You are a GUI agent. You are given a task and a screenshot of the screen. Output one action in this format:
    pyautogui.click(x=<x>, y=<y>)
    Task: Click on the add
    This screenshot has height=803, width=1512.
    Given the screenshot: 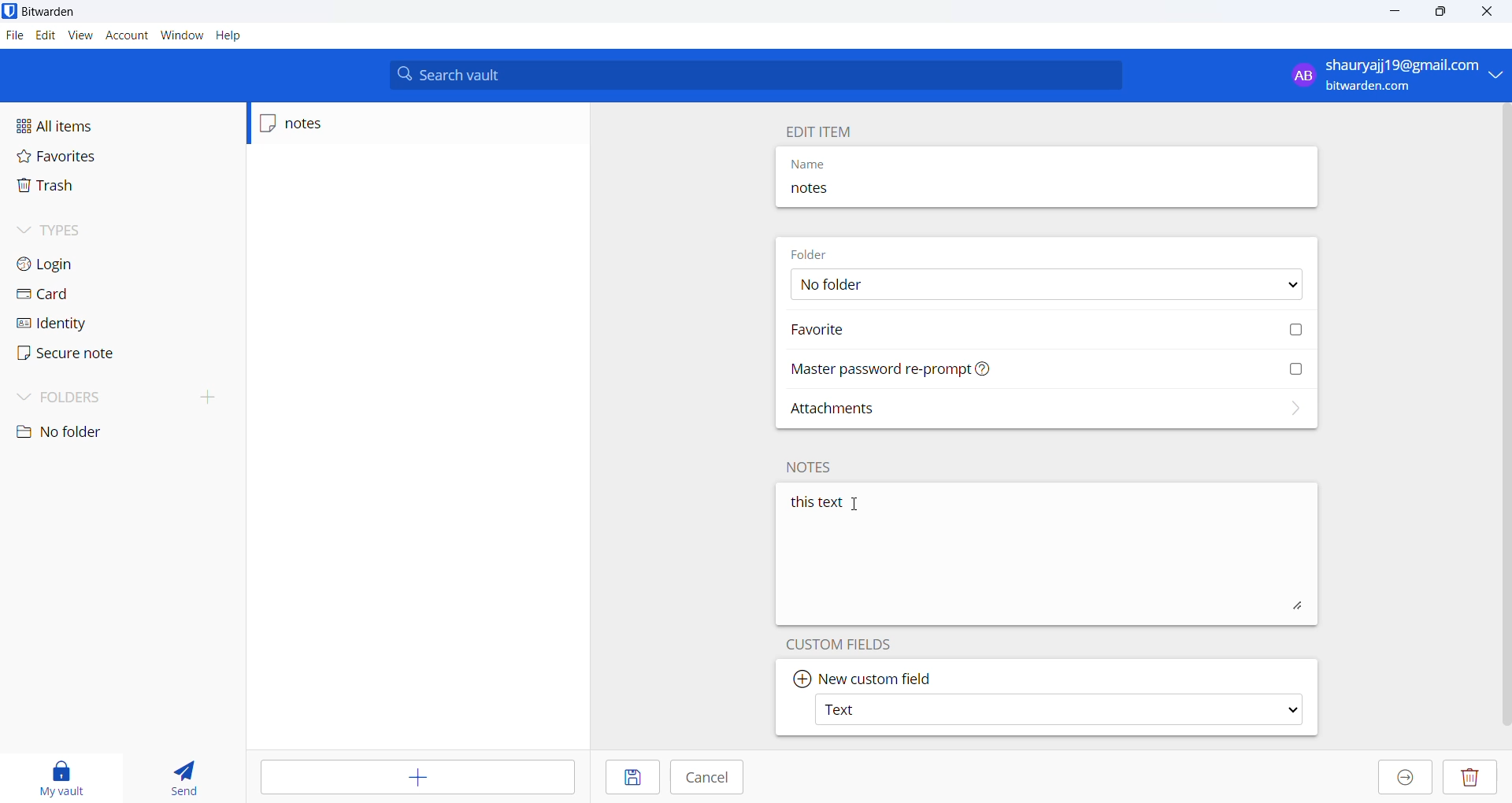 What is the action you would take?
    pyautogui.click(x=420, y=778)
    